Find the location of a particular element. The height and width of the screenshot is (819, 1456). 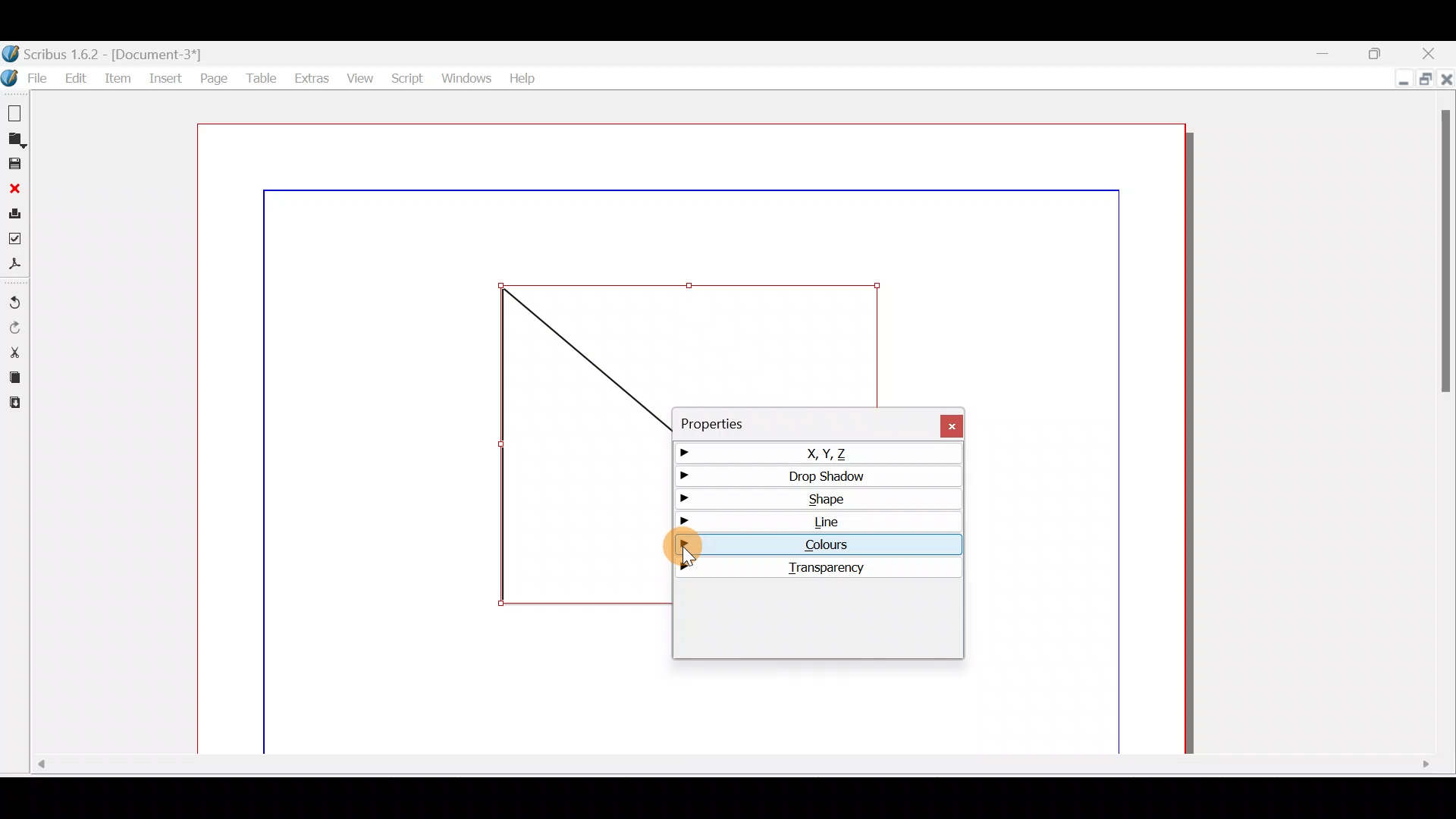

Paste is located at coordinates (19, 403).